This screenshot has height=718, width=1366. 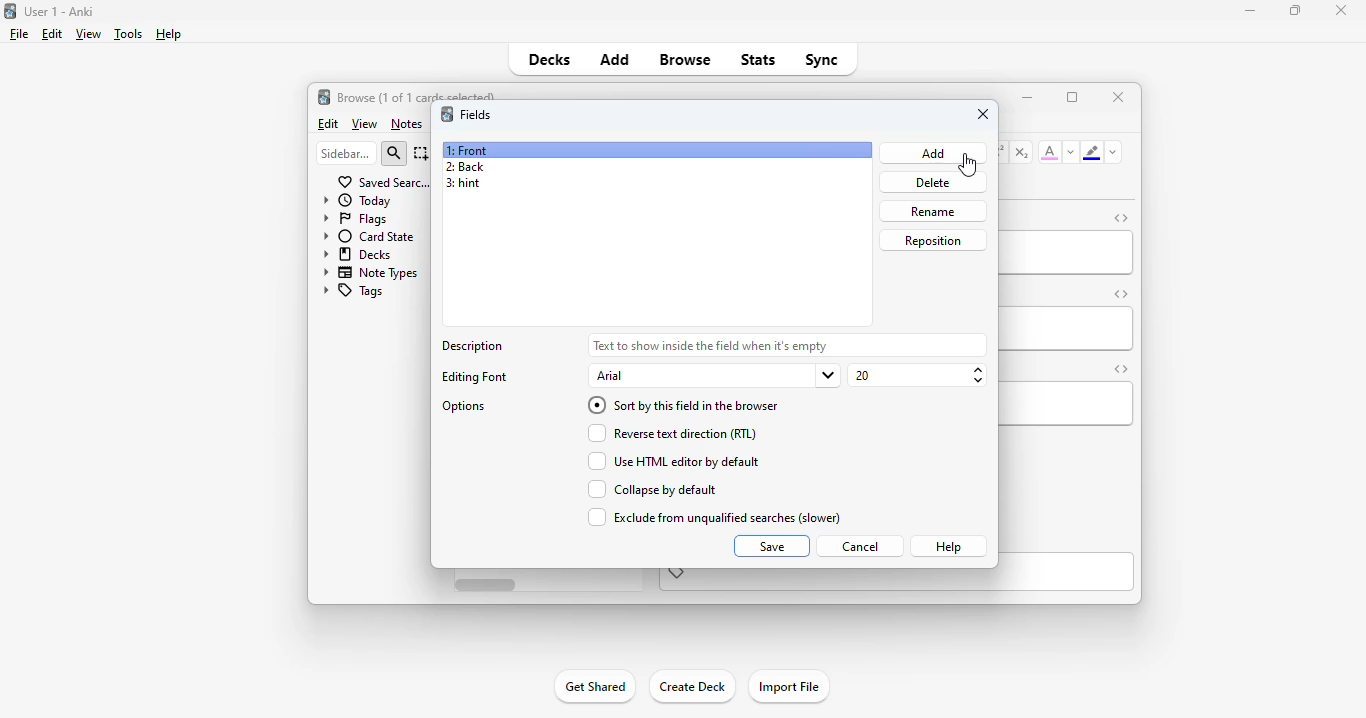 I want to click on get shared, so click(x=594, y=686).